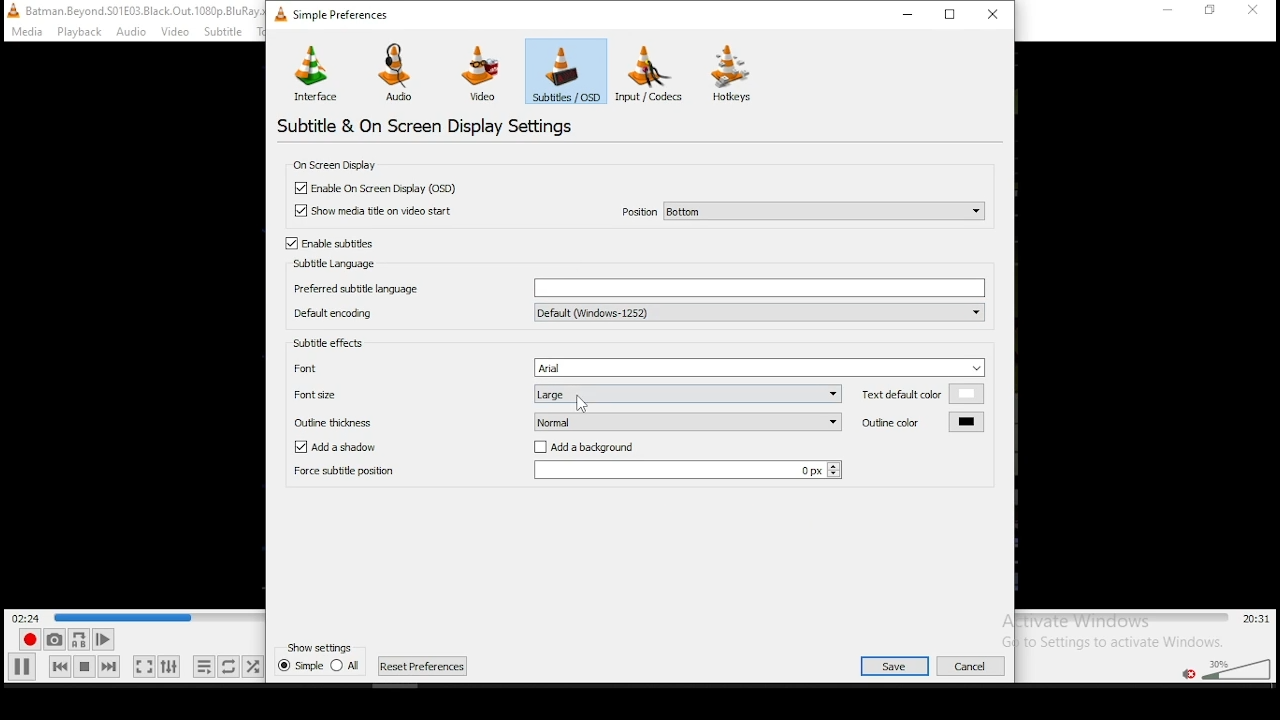  I want to click on file name, so click(146, 10).